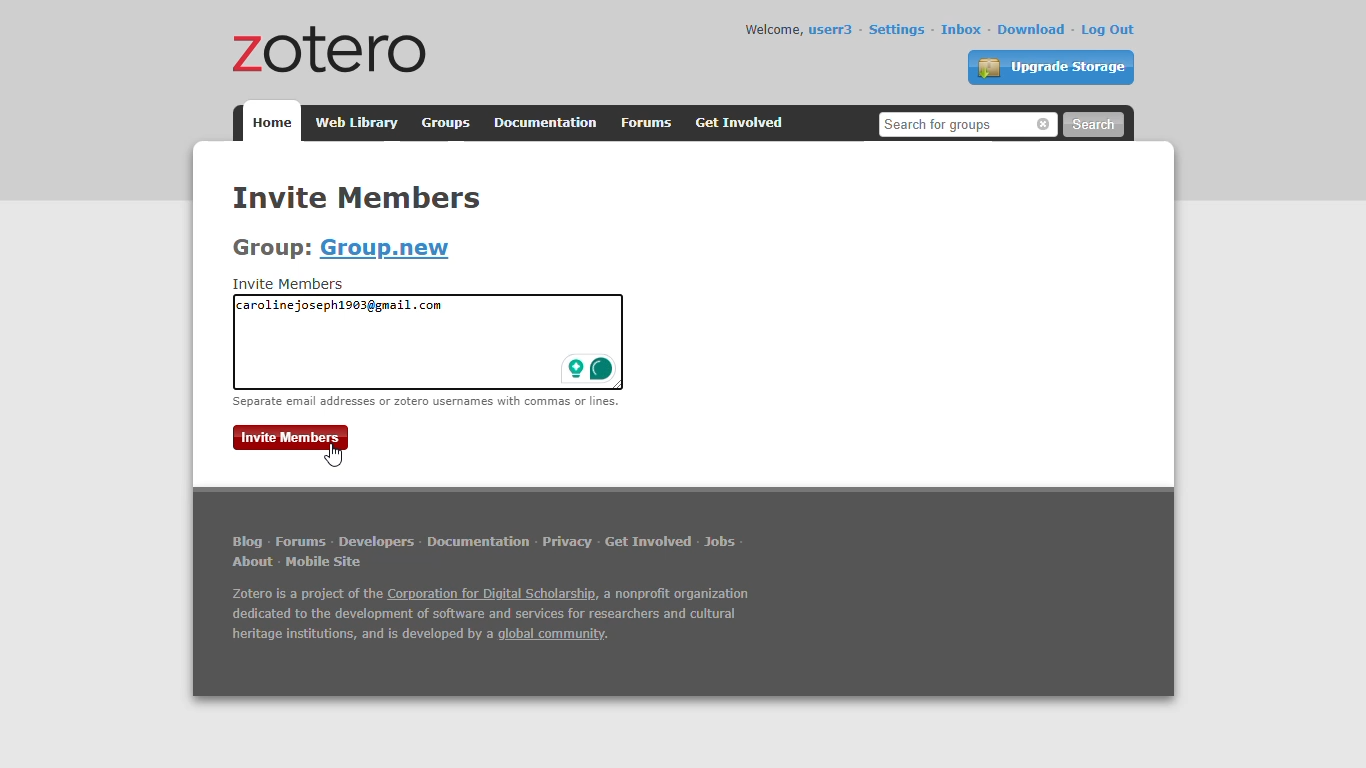 This screenshot has height=768, width=1366. What do you see at coordinates (1093, 125) in the screenshot?
I see `search` at bounding box center [1093, 125].